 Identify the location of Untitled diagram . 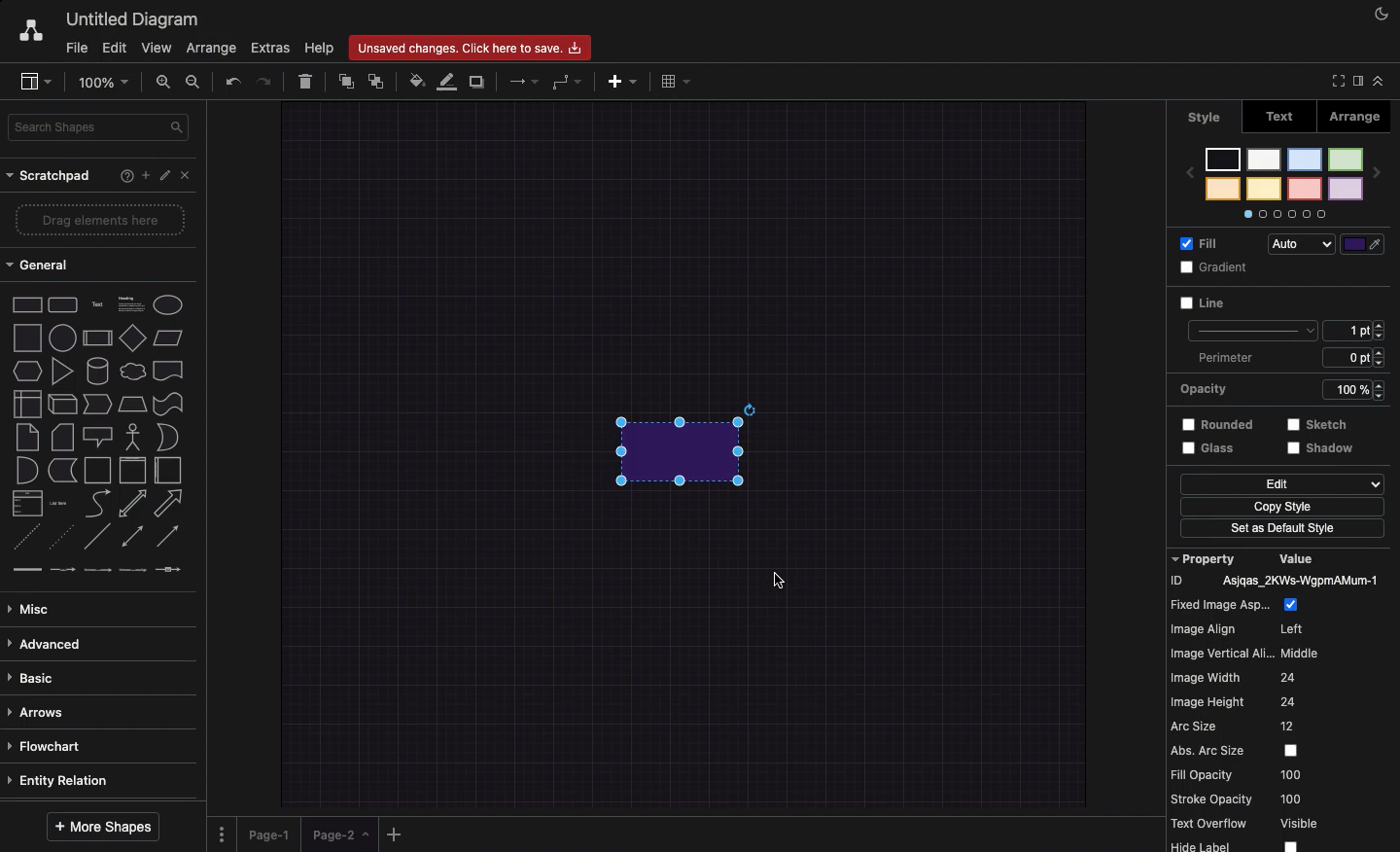
(134, 17).